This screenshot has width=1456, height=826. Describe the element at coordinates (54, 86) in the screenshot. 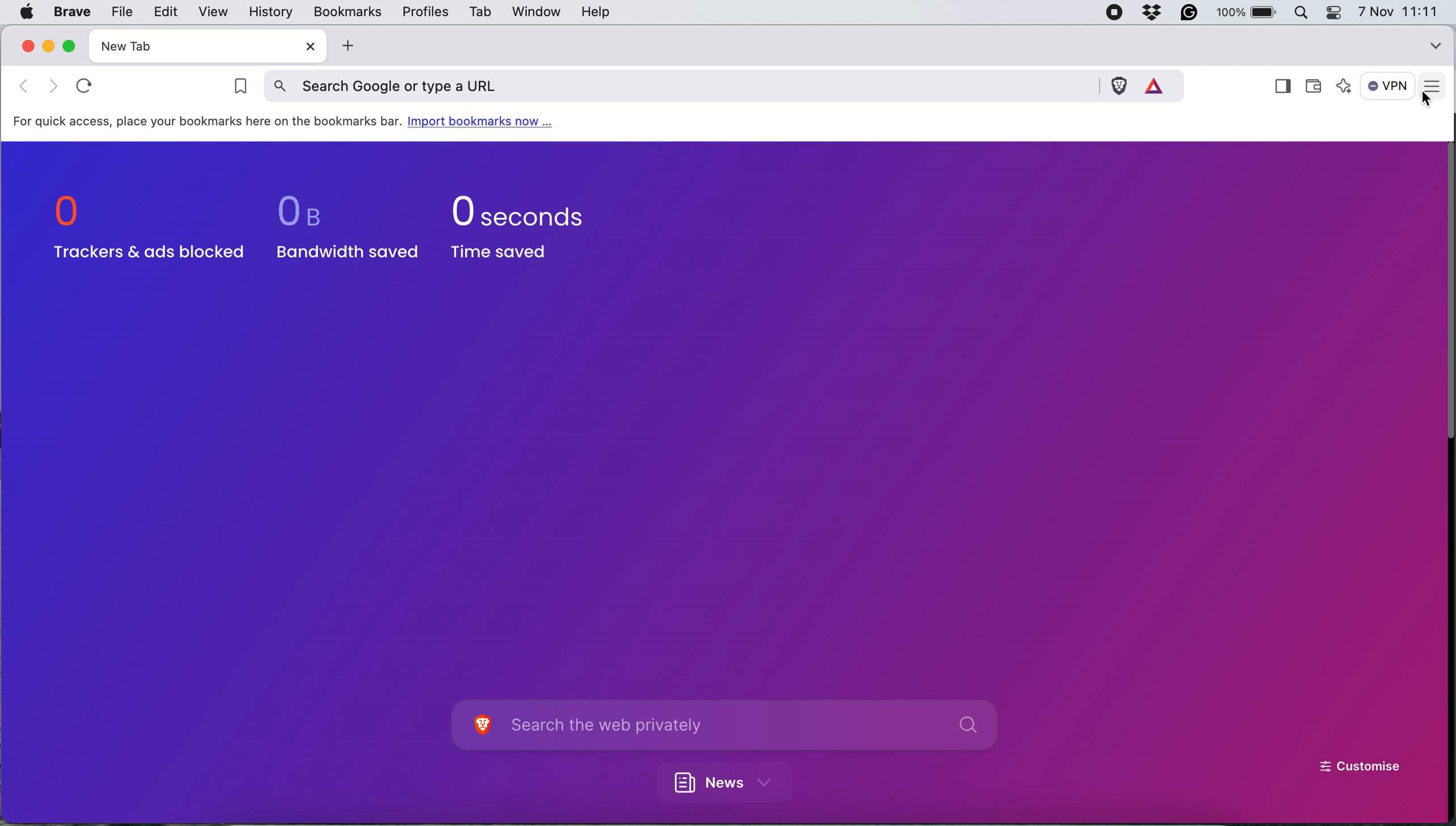

I see `click to go back, hold to see history` at that location.